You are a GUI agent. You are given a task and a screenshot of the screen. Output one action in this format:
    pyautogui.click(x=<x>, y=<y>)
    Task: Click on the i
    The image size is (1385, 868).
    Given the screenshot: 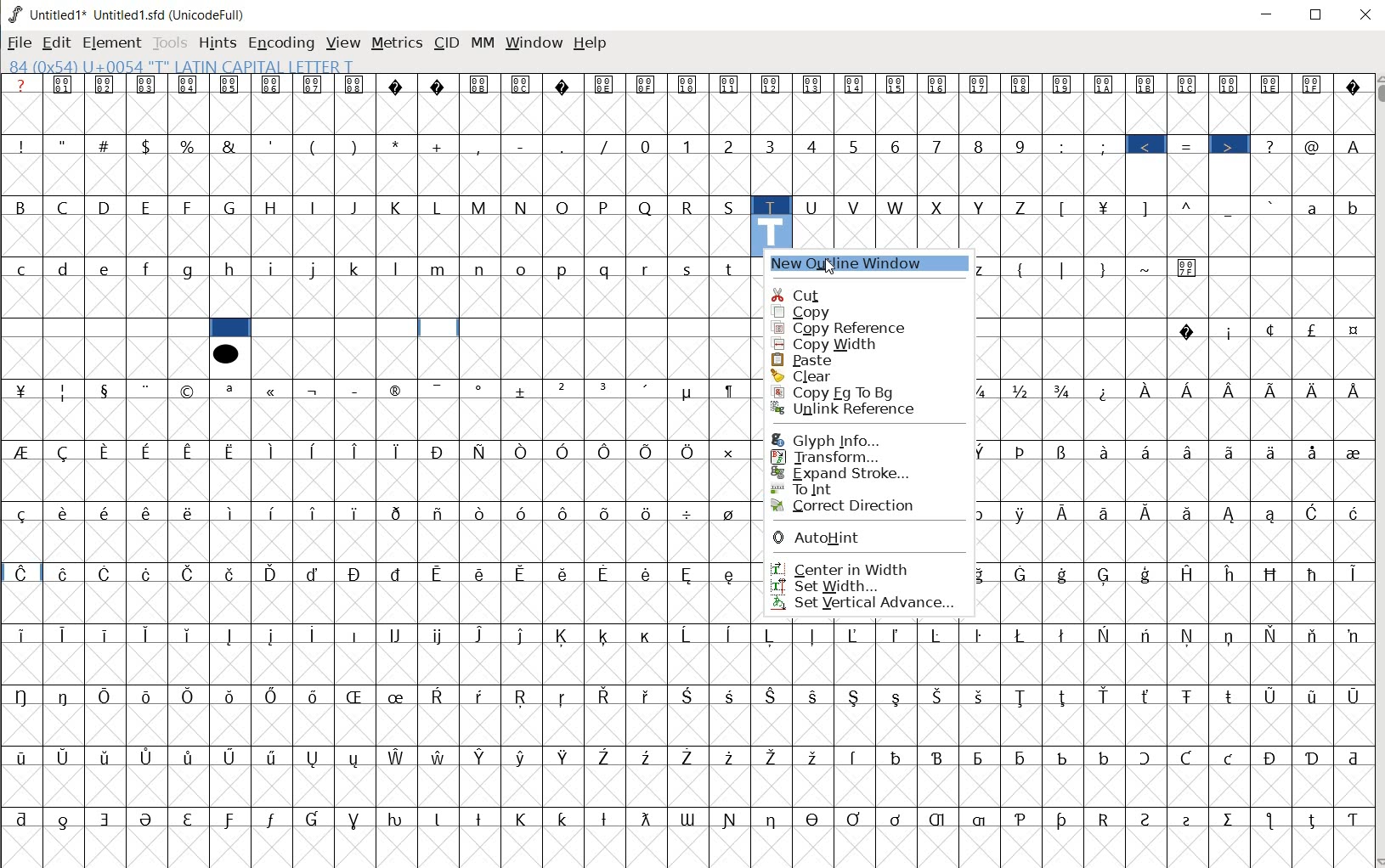 What is the action you would take?
    pyautogui.click(x=274, y=268)
    